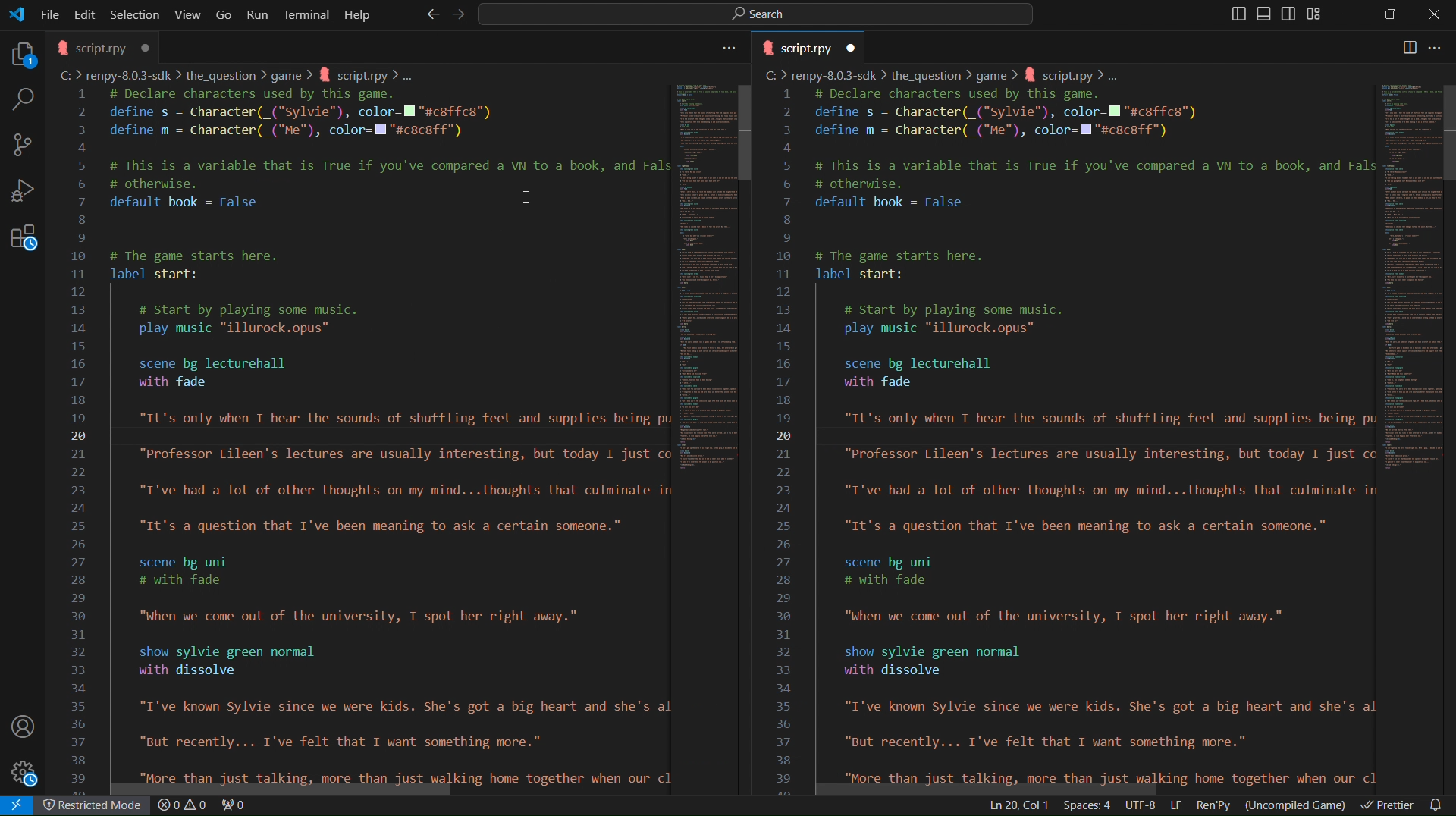 The width and height of the screenshot is (1456, 816). I want to click on Edit, so click(87, 13).